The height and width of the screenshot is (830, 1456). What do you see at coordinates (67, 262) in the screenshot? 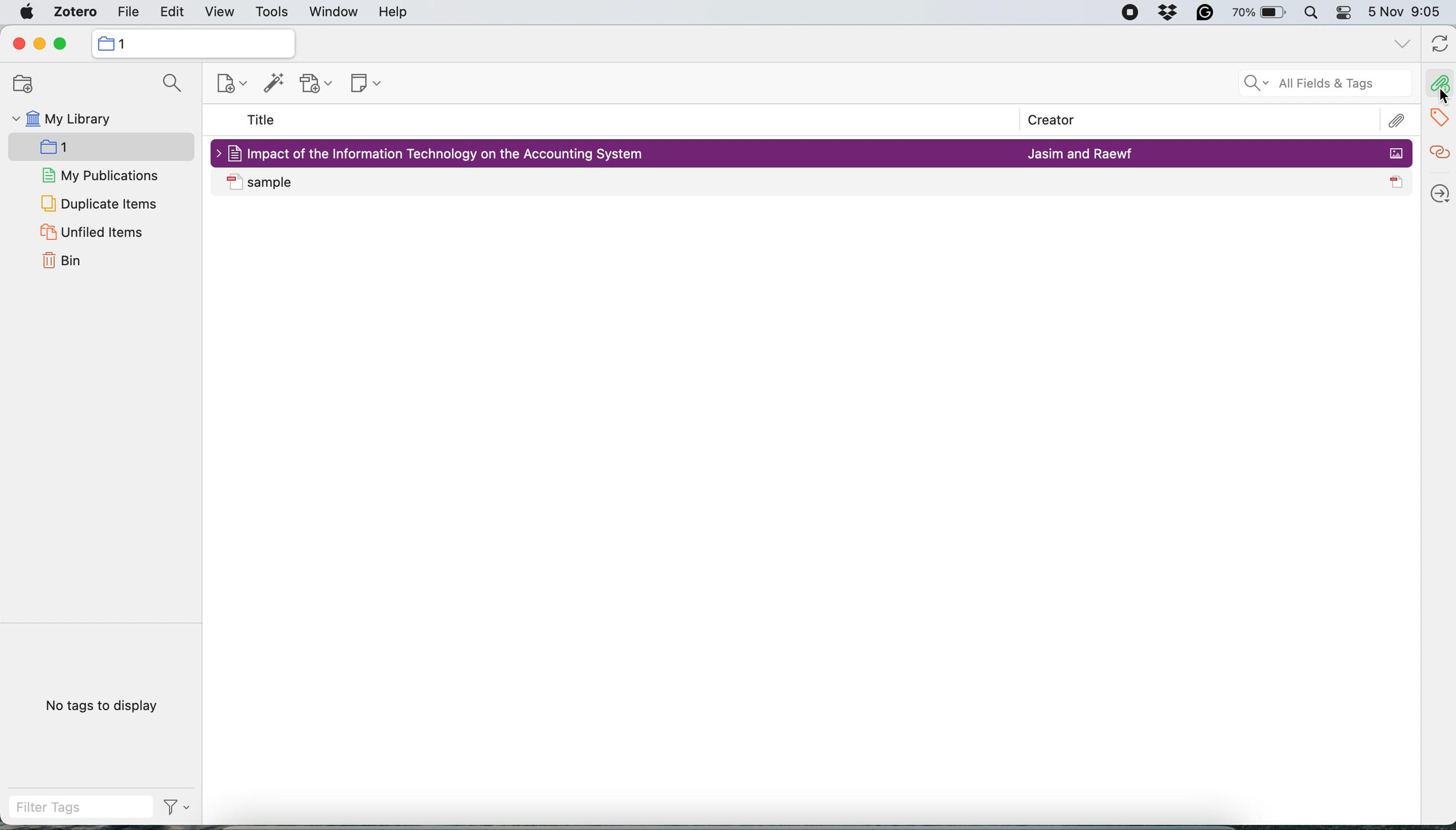
I see `bin` at bounding box center [67, 262].